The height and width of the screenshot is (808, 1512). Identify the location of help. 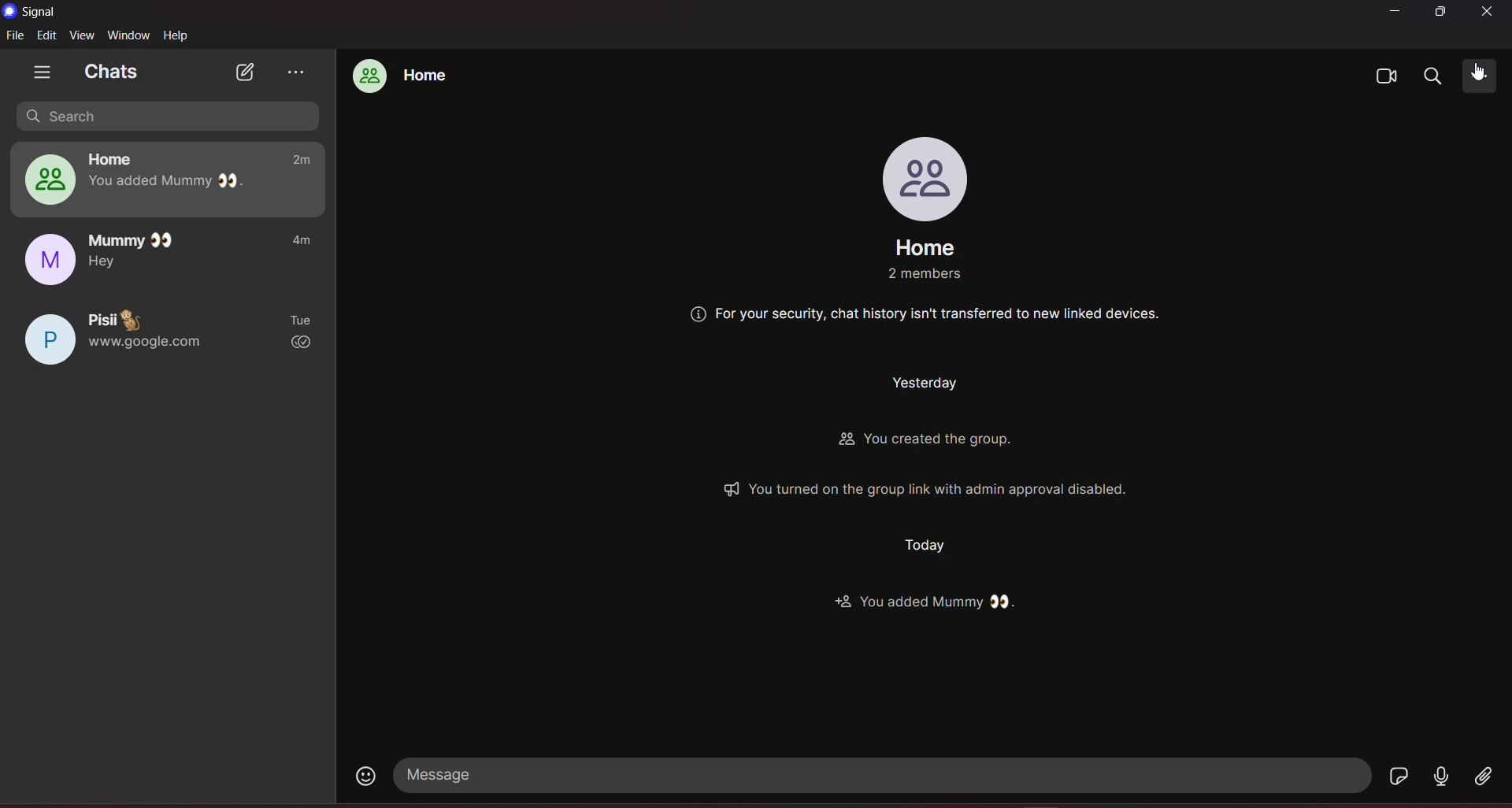
(178, 36).